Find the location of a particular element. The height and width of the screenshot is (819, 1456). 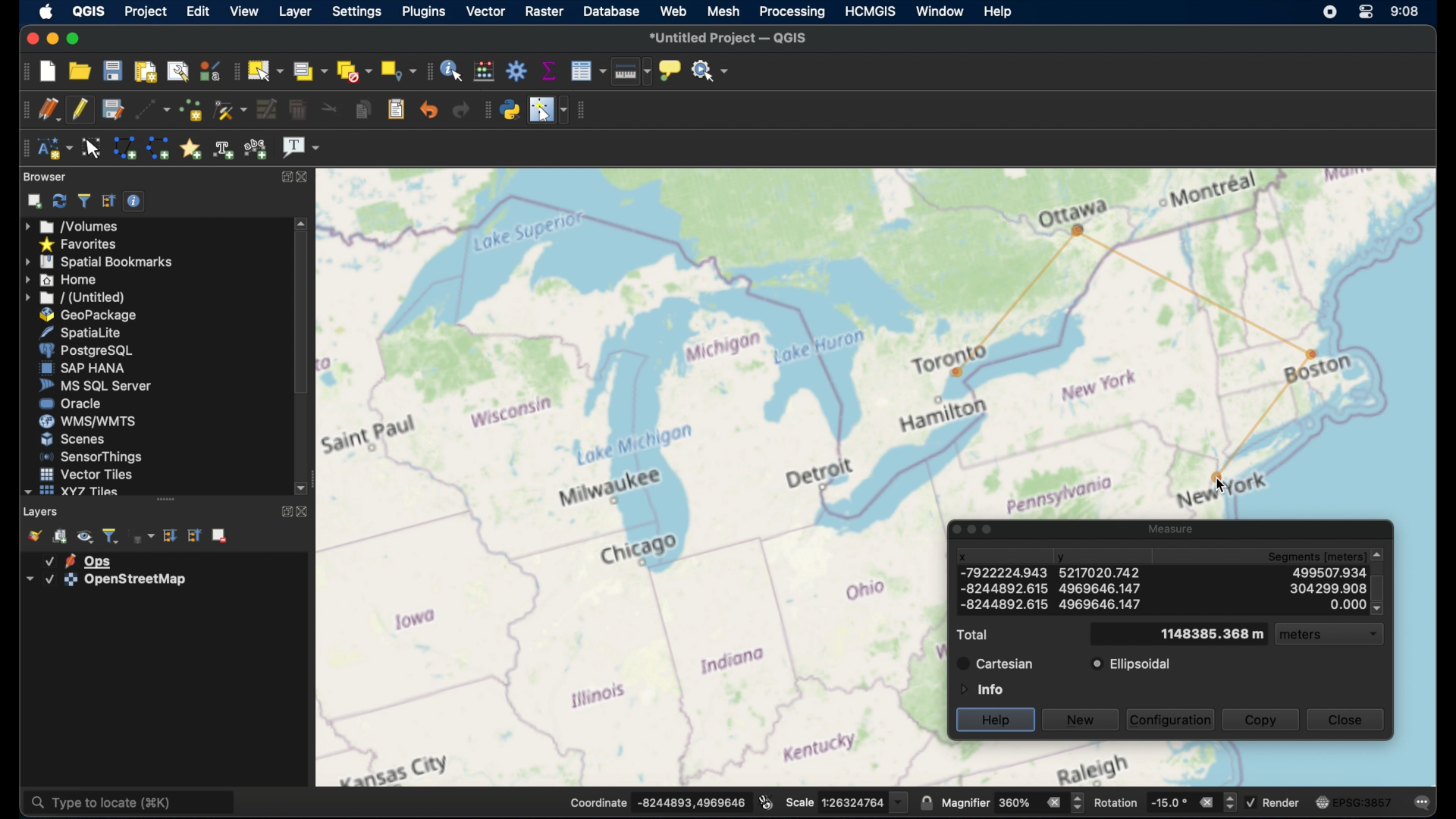

modify is located at coordinates (265, 108).